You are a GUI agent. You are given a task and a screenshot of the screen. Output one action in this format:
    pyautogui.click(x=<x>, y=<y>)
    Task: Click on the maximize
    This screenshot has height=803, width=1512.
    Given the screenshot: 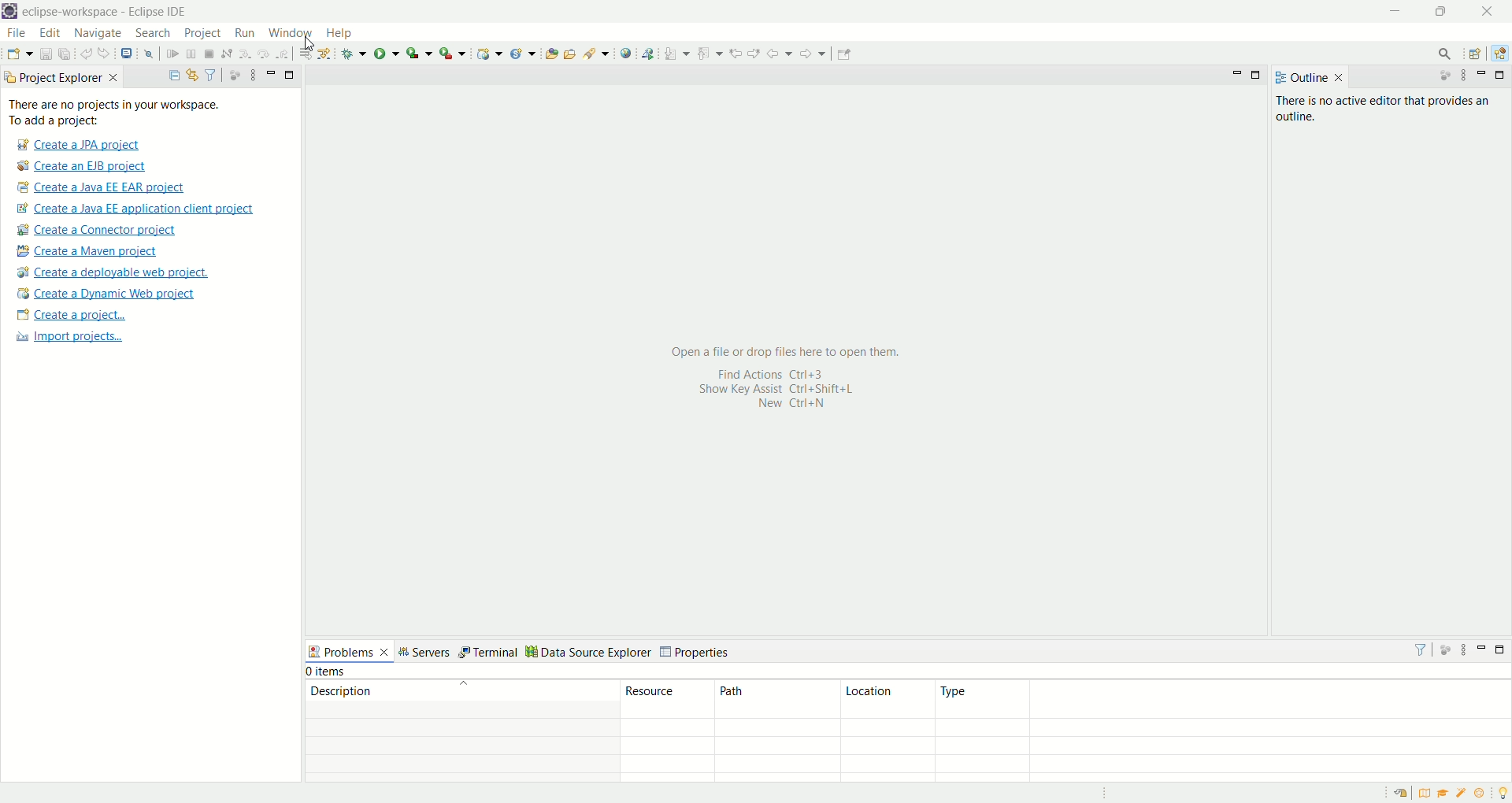 What is the action you would take?
    pyautogui.click(x=1442, y=12)
    